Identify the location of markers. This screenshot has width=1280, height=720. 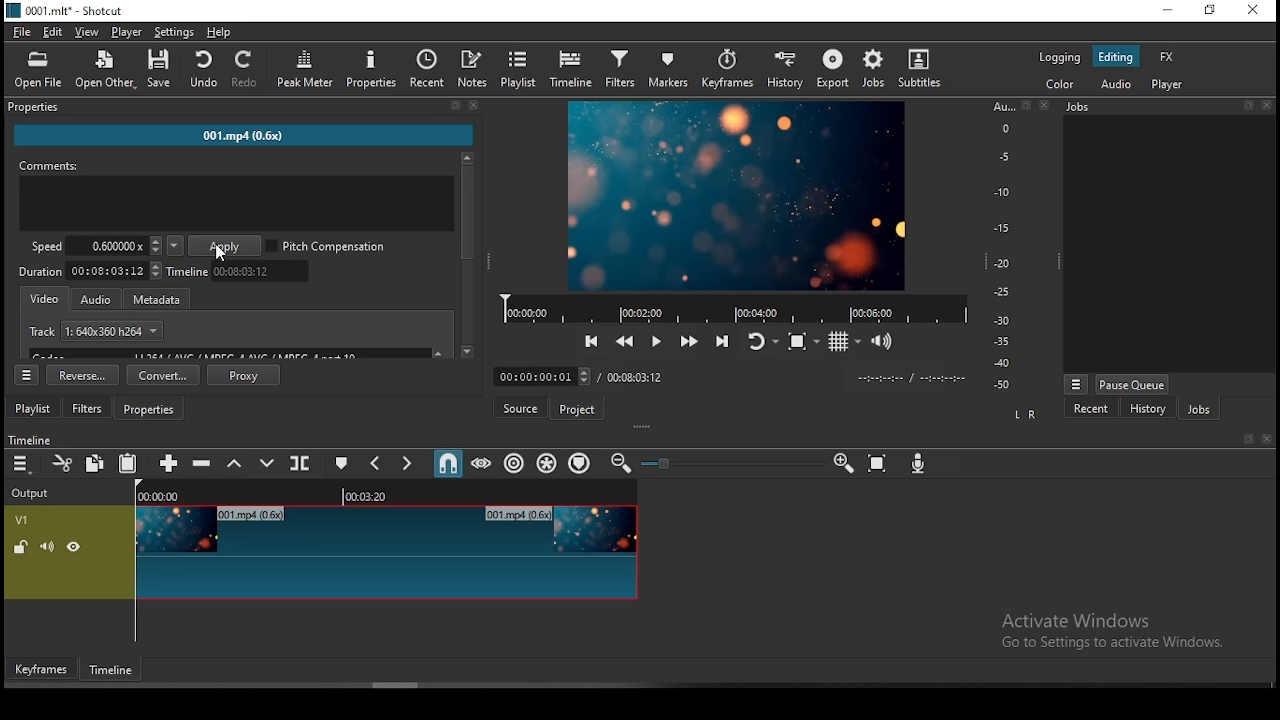
(667, 68).